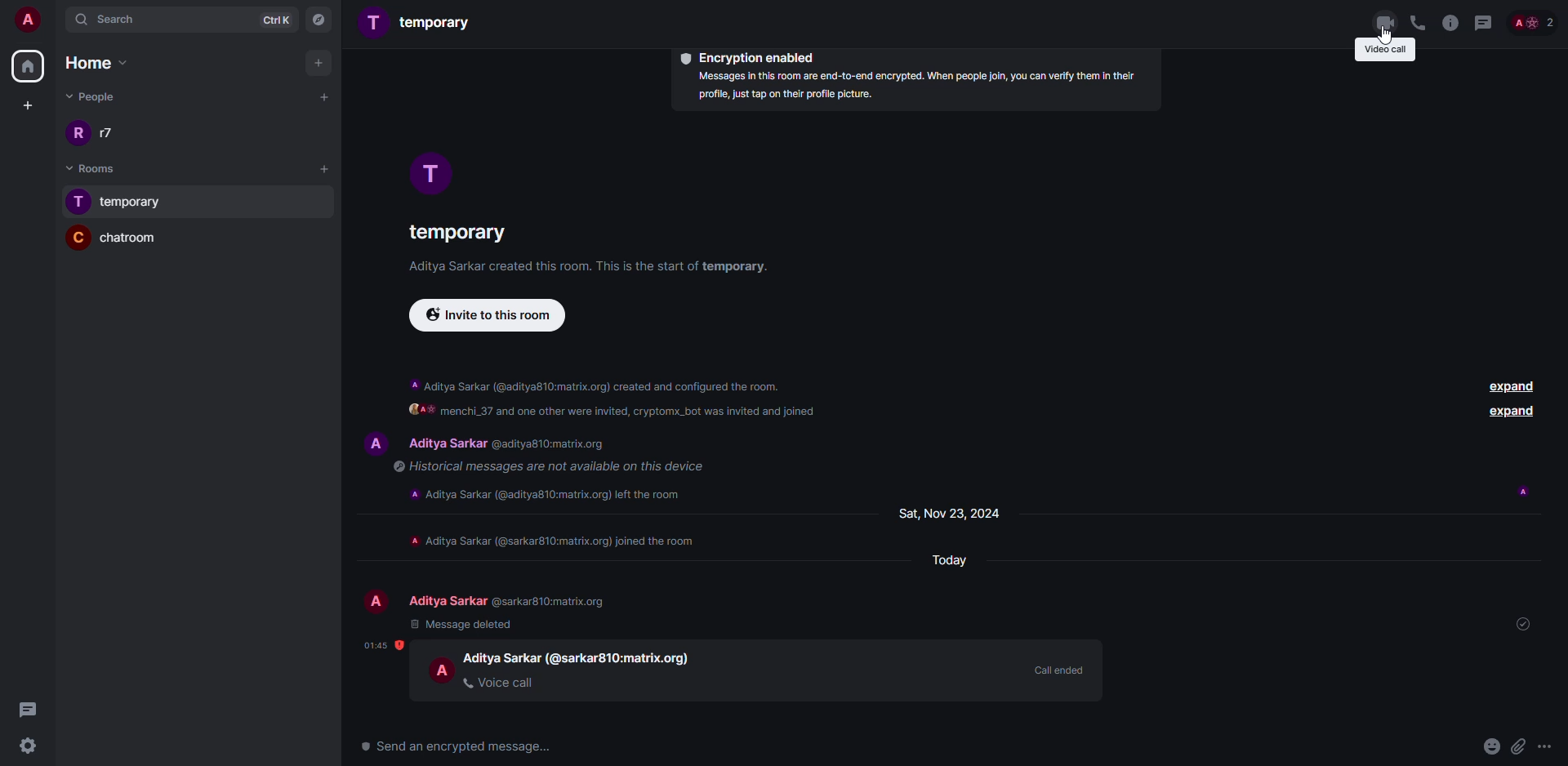 This screenshot has height=766, width=1568. Describe the element at coordinates (1057, 668) in the screenshot. I see `call ended` at that location.